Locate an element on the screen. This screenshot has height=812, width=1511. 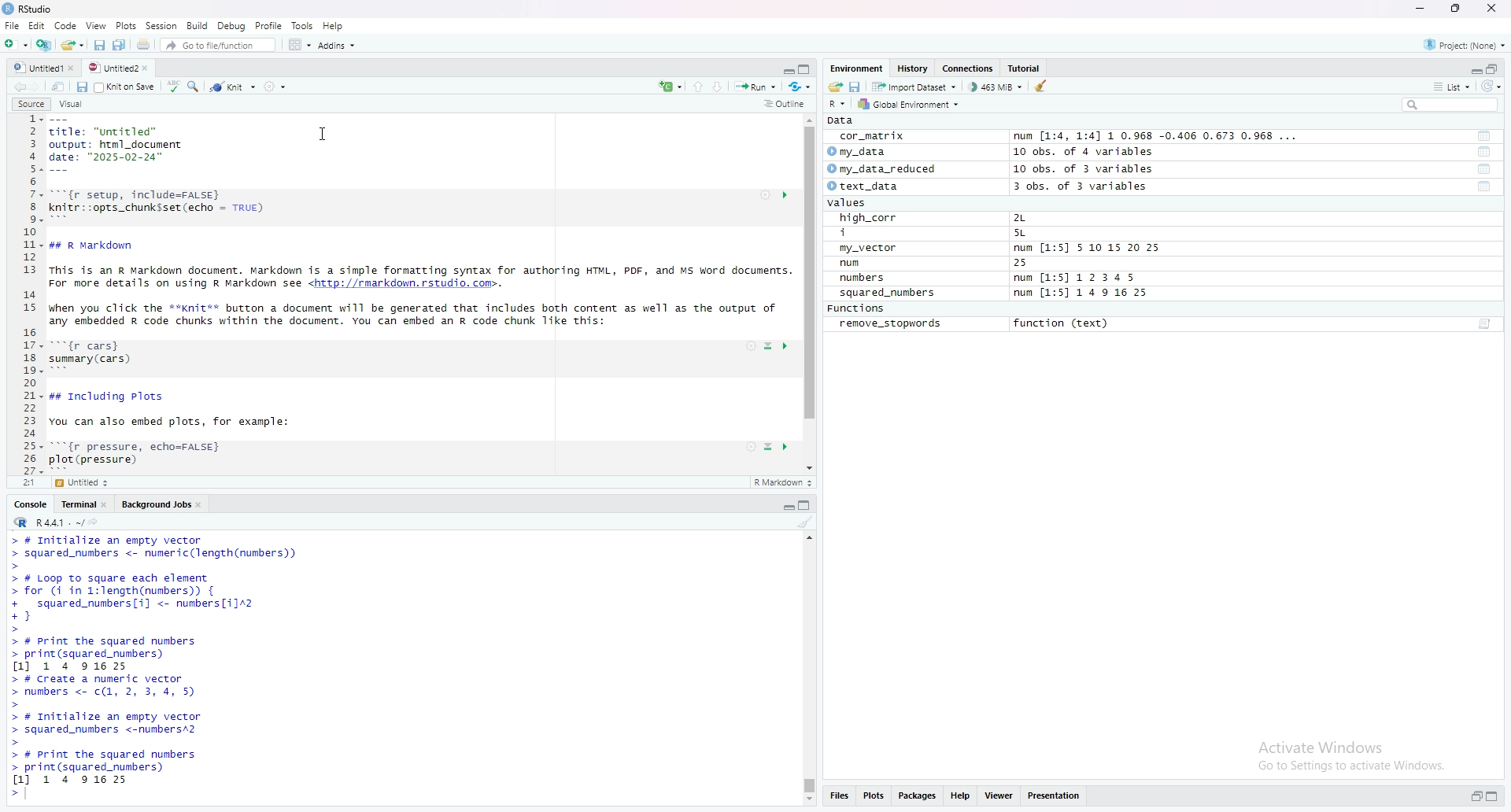
10 obs. of 3 variables is located at coordinates (1098, 168).